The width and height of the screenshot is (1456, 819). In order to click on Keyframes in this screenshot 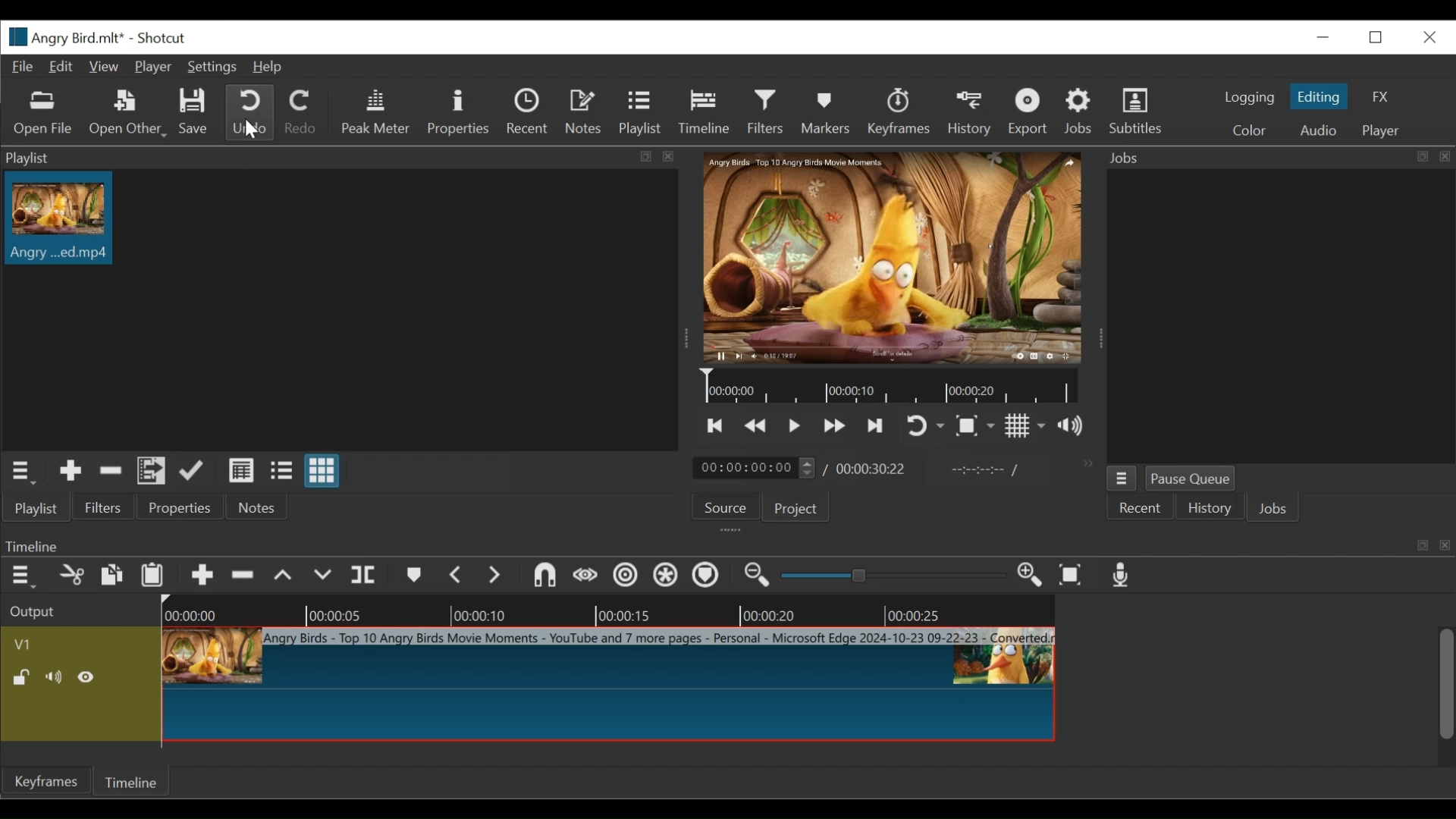, I will do `click(900, 111)`.